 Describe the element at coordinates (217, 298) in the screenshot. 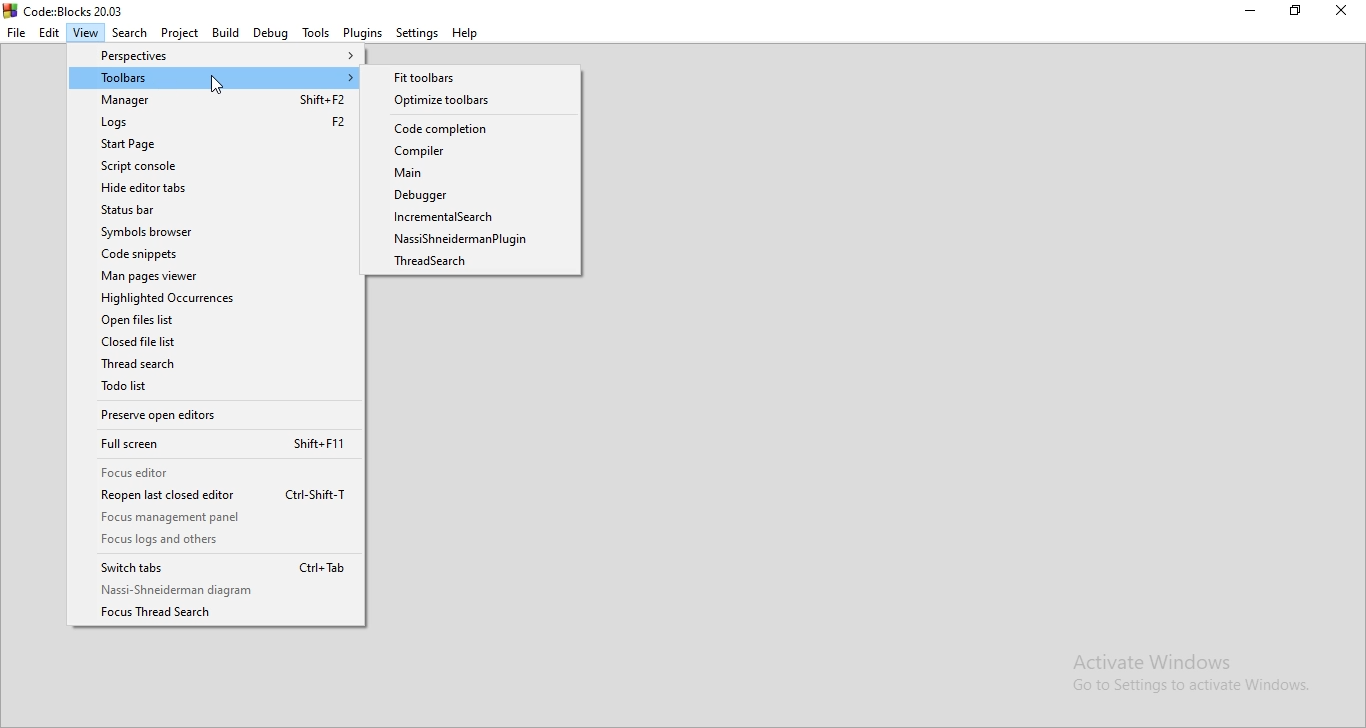

I see `Highlighted Occurences` at that location.